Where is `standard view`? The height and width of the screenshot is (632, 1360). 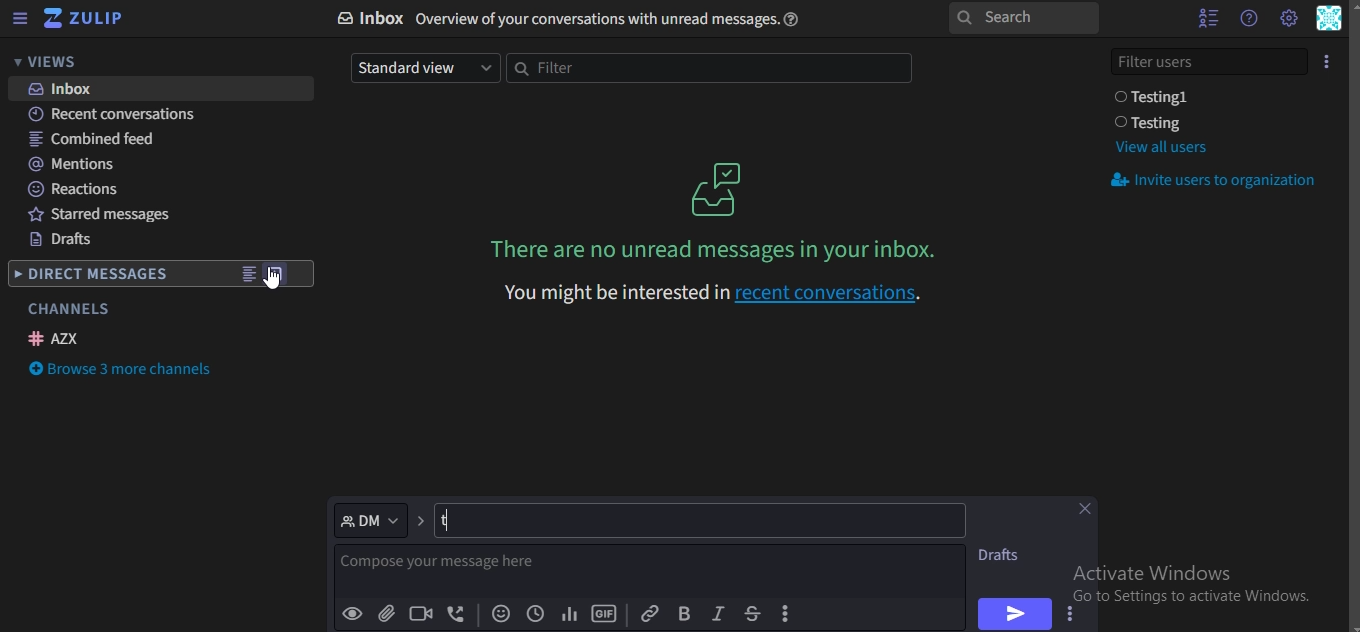
standard view is located at coordinates (422, 67).